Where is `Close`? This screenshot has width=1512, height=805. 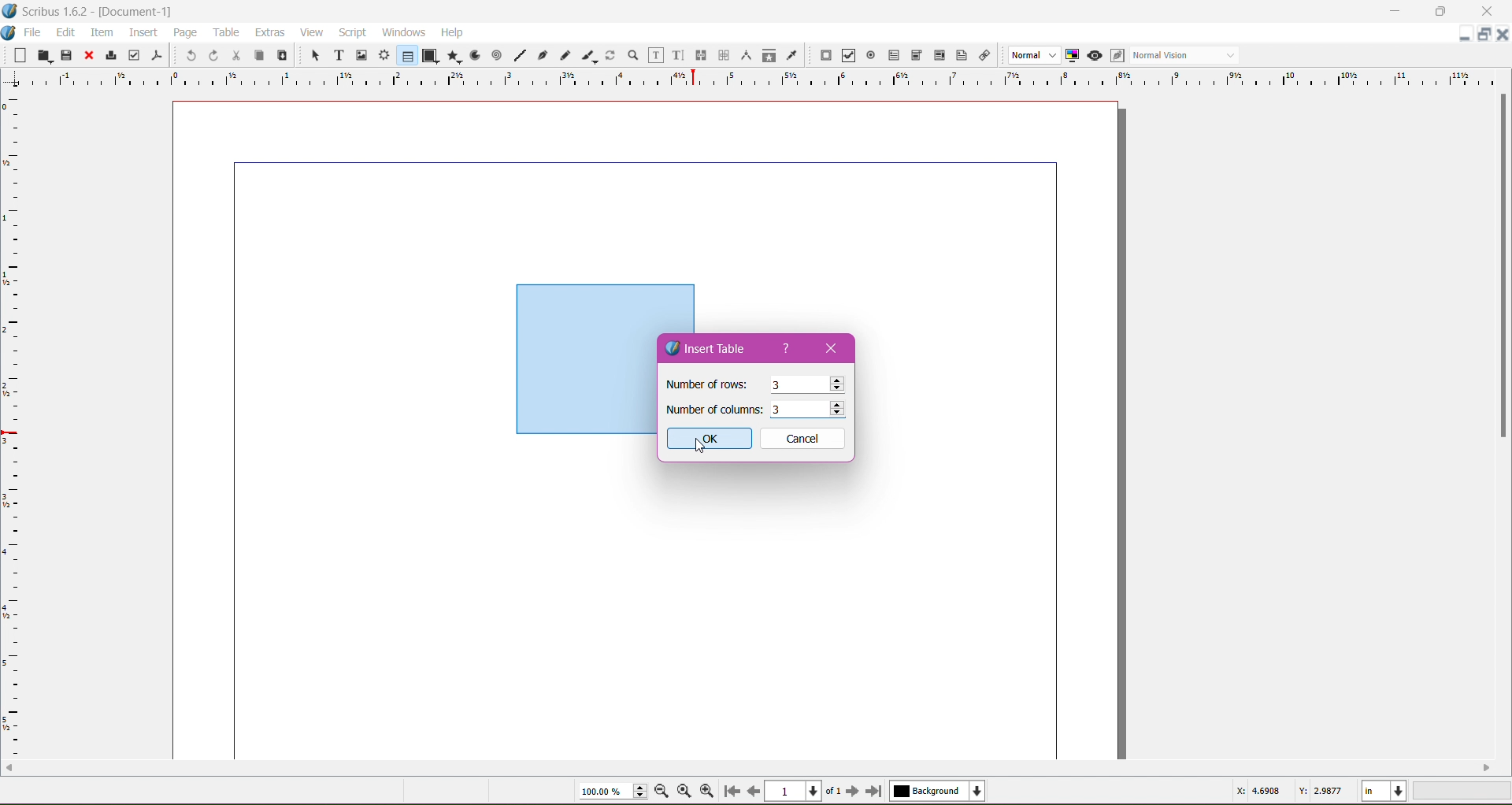
Close is located at coordinates (832, 347).